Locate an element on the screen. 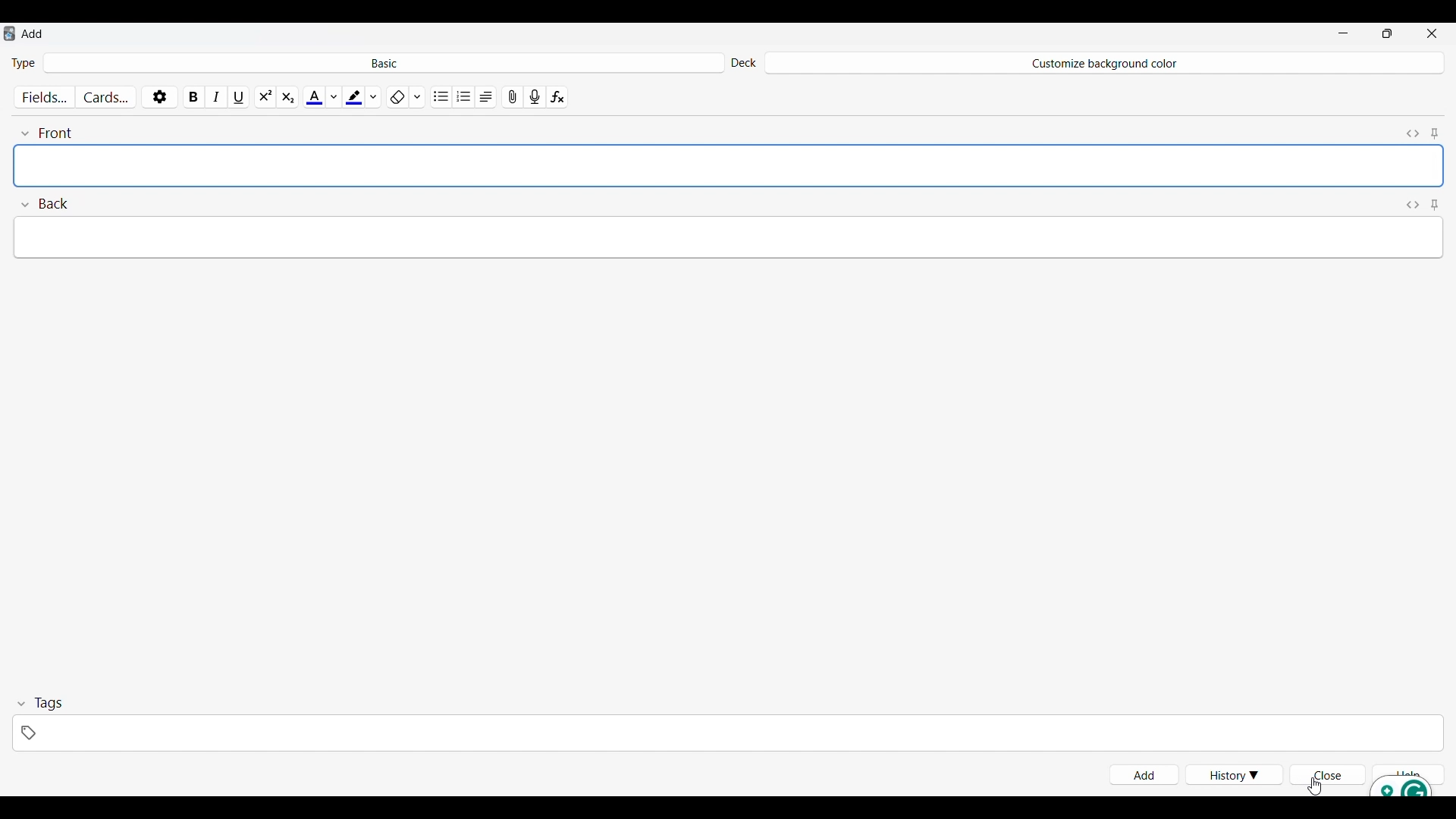 The width and height of the screenshot is (1456, 819). Selected text color is located at coordinates (313, 95).